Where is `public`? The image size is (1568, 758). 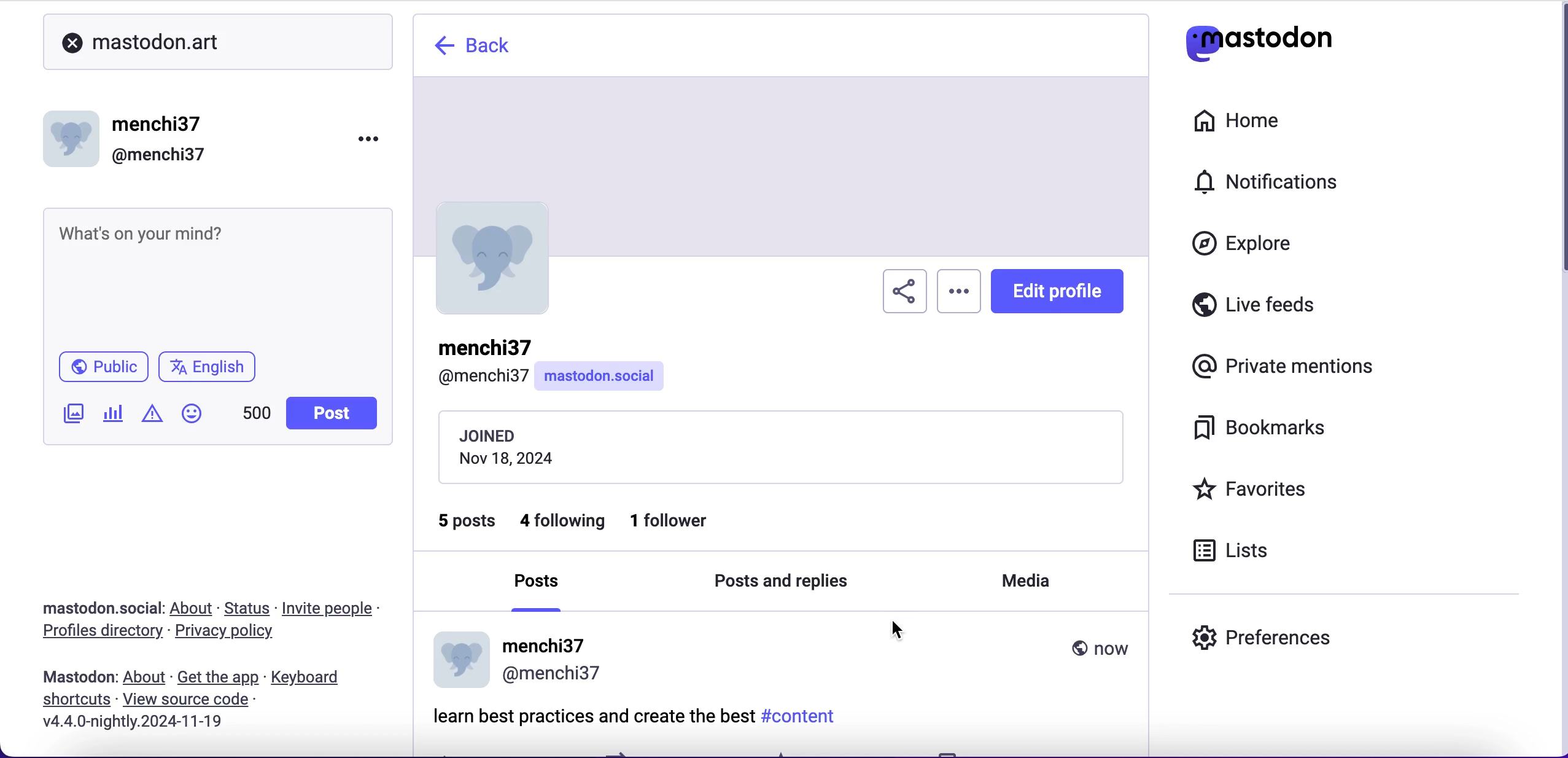 public is located at coordinates (98, 367).